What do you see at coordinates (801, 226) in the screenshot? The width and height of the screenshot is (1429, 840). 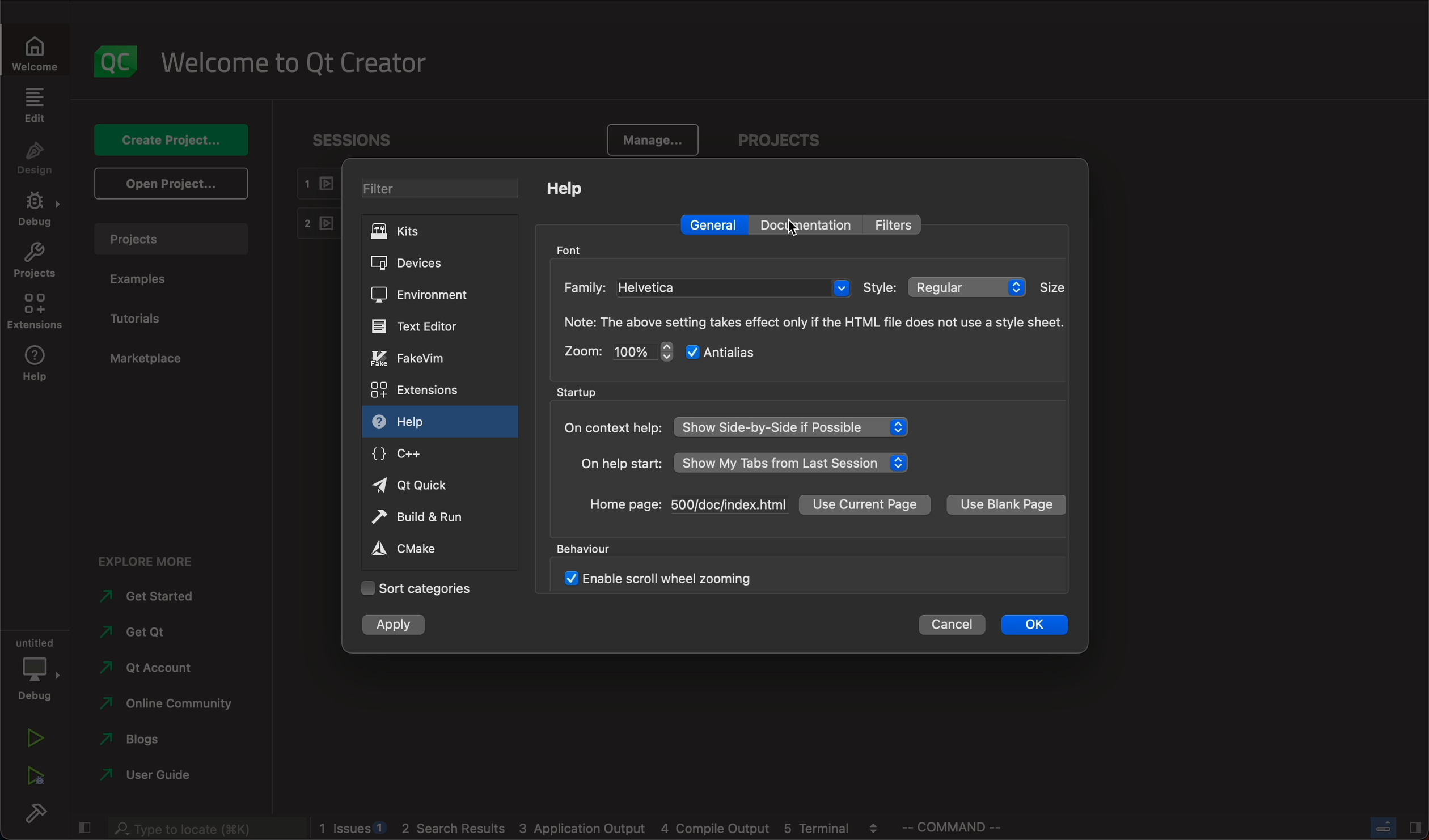 I see `cursor` at bounding box center [801, 226].